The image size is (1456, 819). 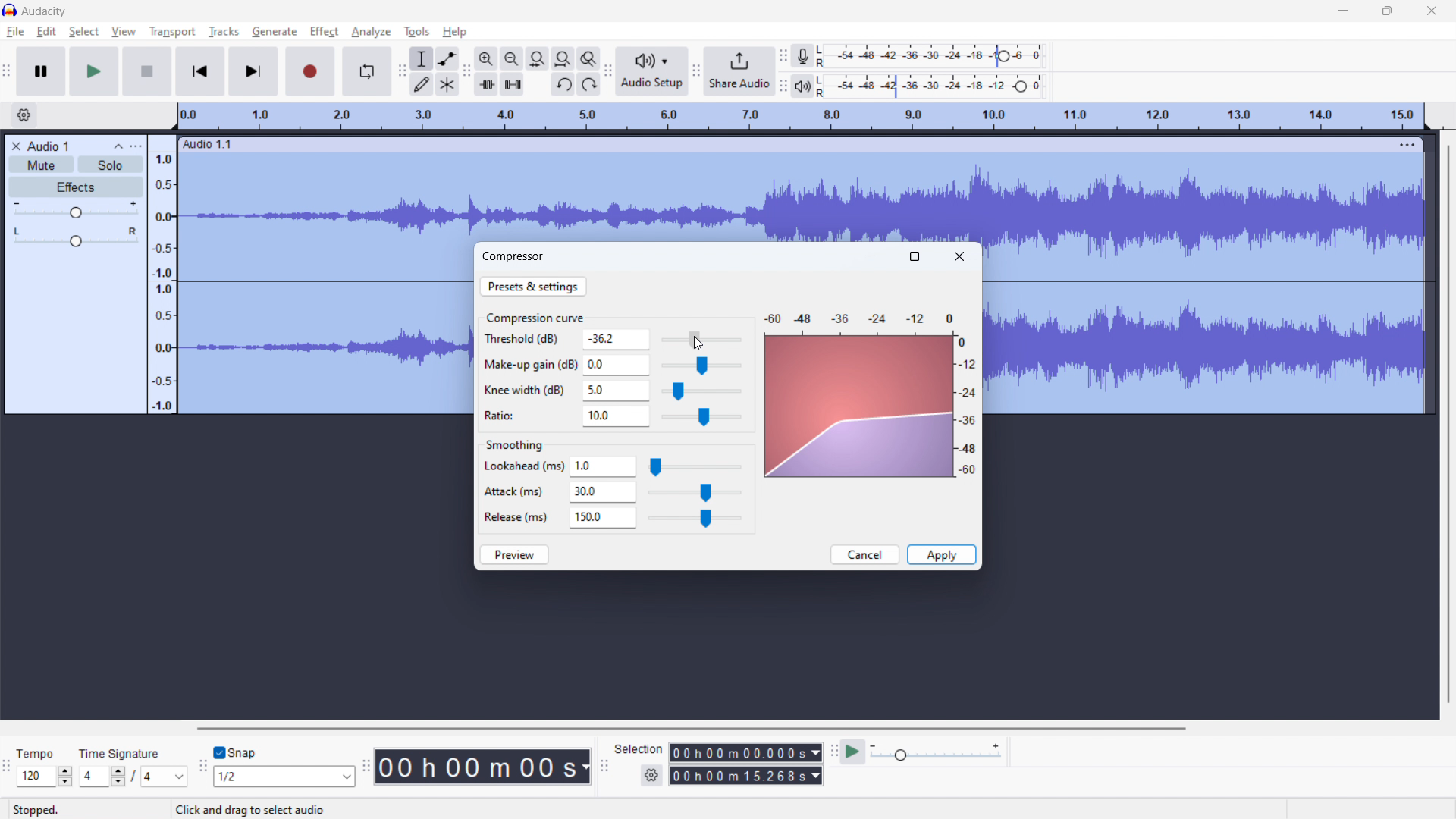 What do you see at coordinates (651, 71) in the screenshot?
I see `audio setup` at bounding box center [651, 71].